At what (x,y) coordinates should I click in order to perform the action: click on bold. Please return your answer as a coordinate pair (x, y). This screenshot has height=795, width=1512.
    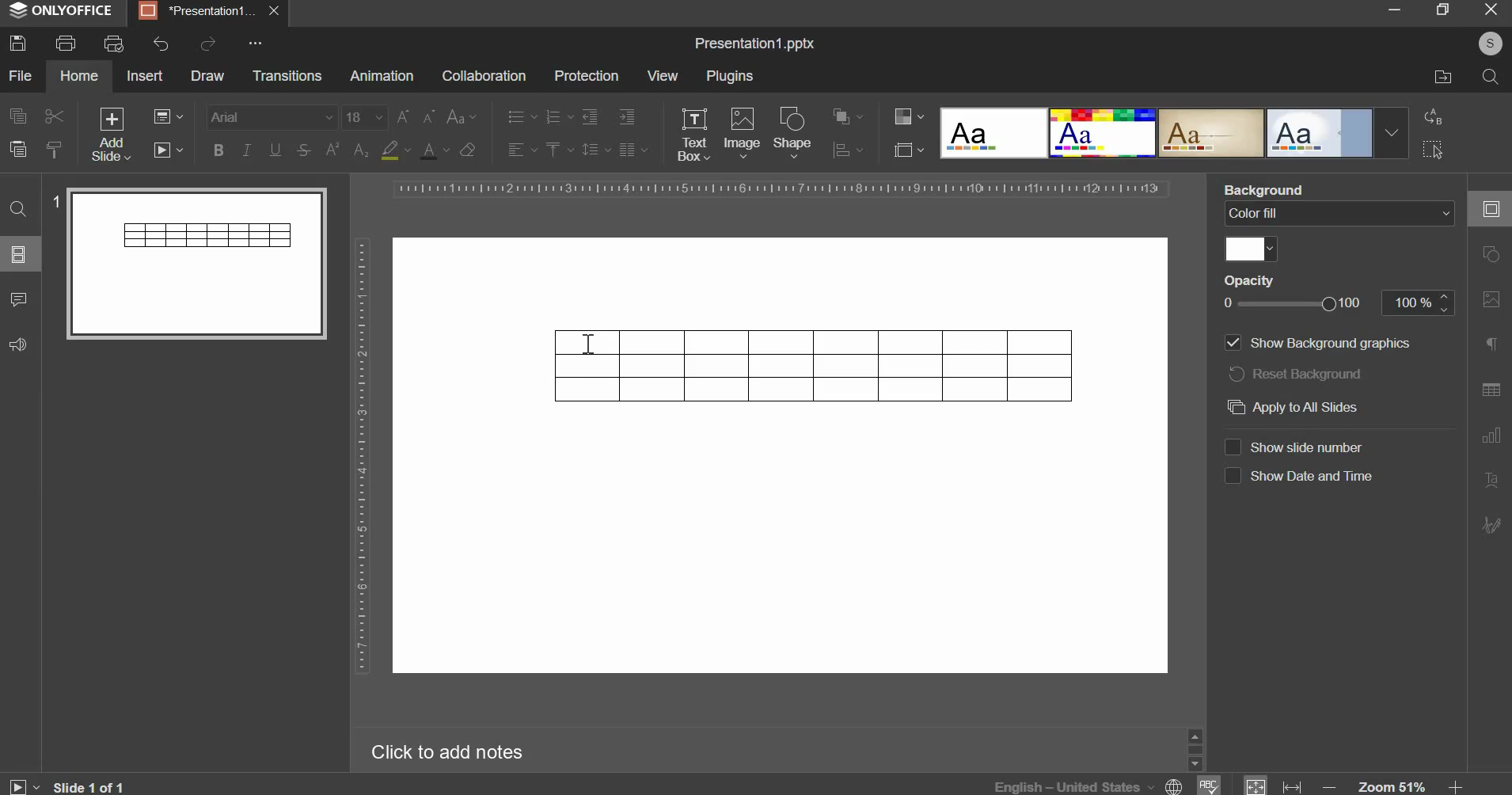
    Looking at the image, I should click on (218, 147).